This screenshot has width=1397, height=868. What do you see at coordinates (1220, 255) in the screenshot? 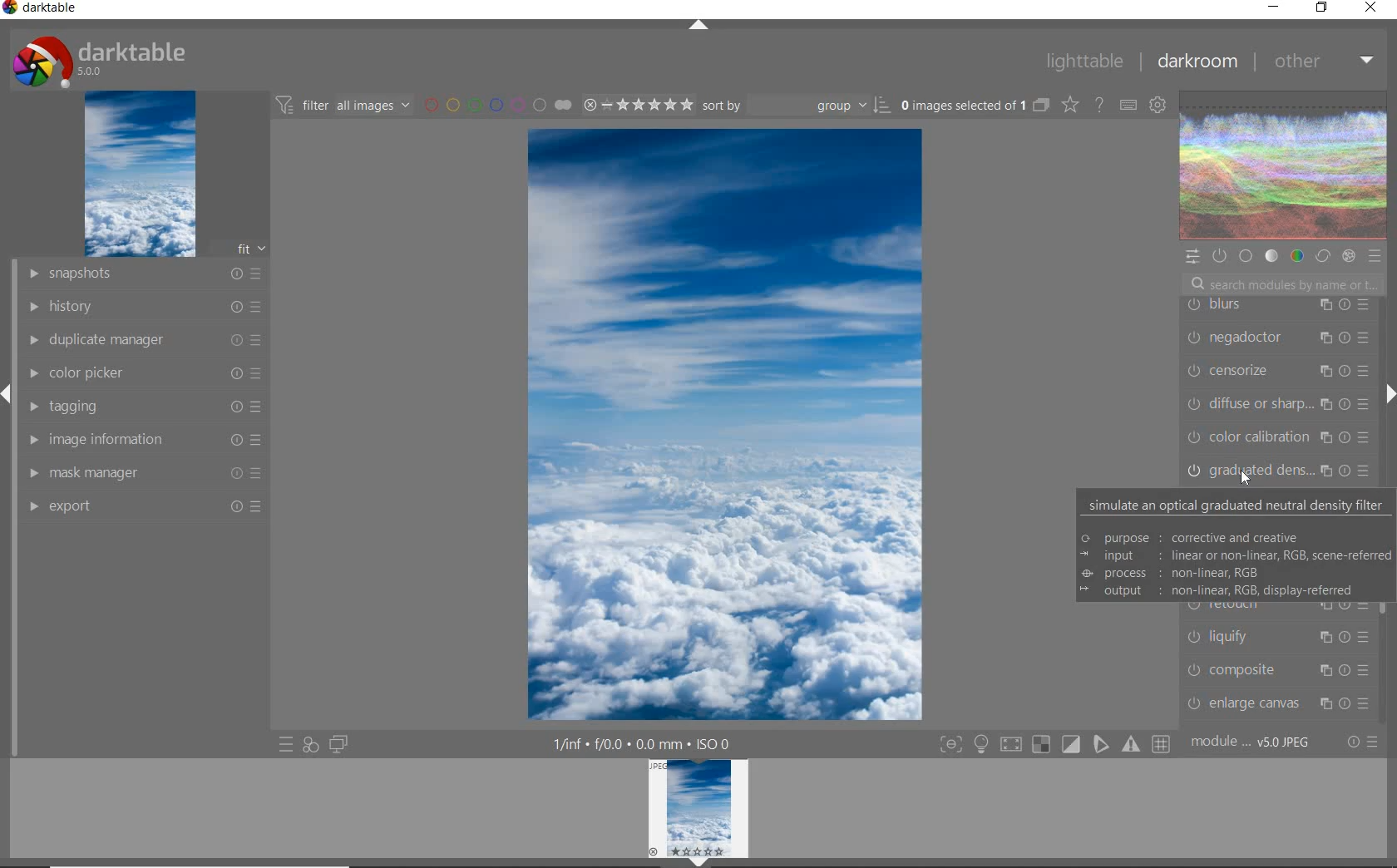
I see `SHOW ONLY ACTIVE MODULES` at bounding box center [1220, 255].